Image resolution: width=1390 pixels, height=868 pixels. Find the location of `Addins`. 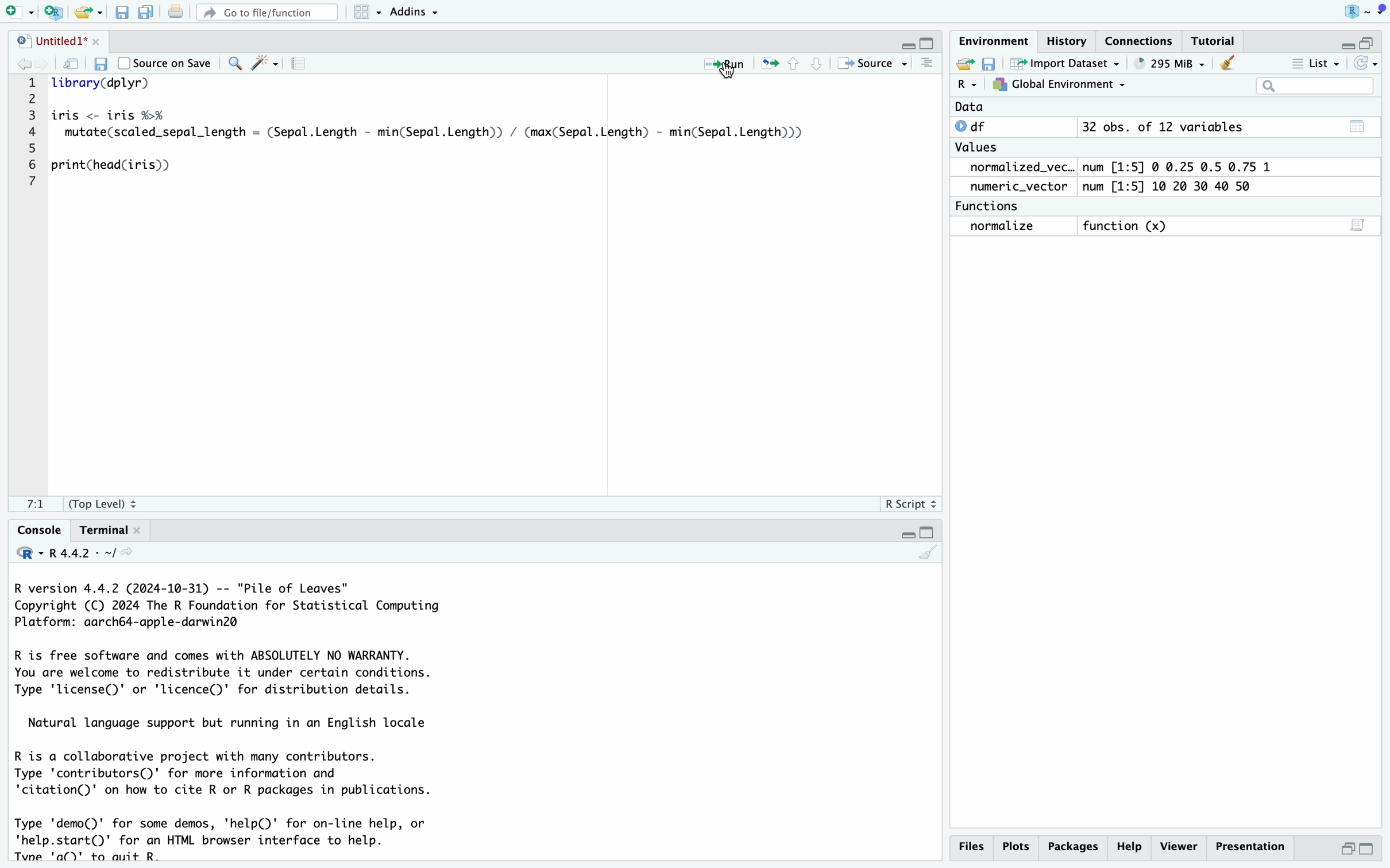

Addins is located at coordinates (415, 11).